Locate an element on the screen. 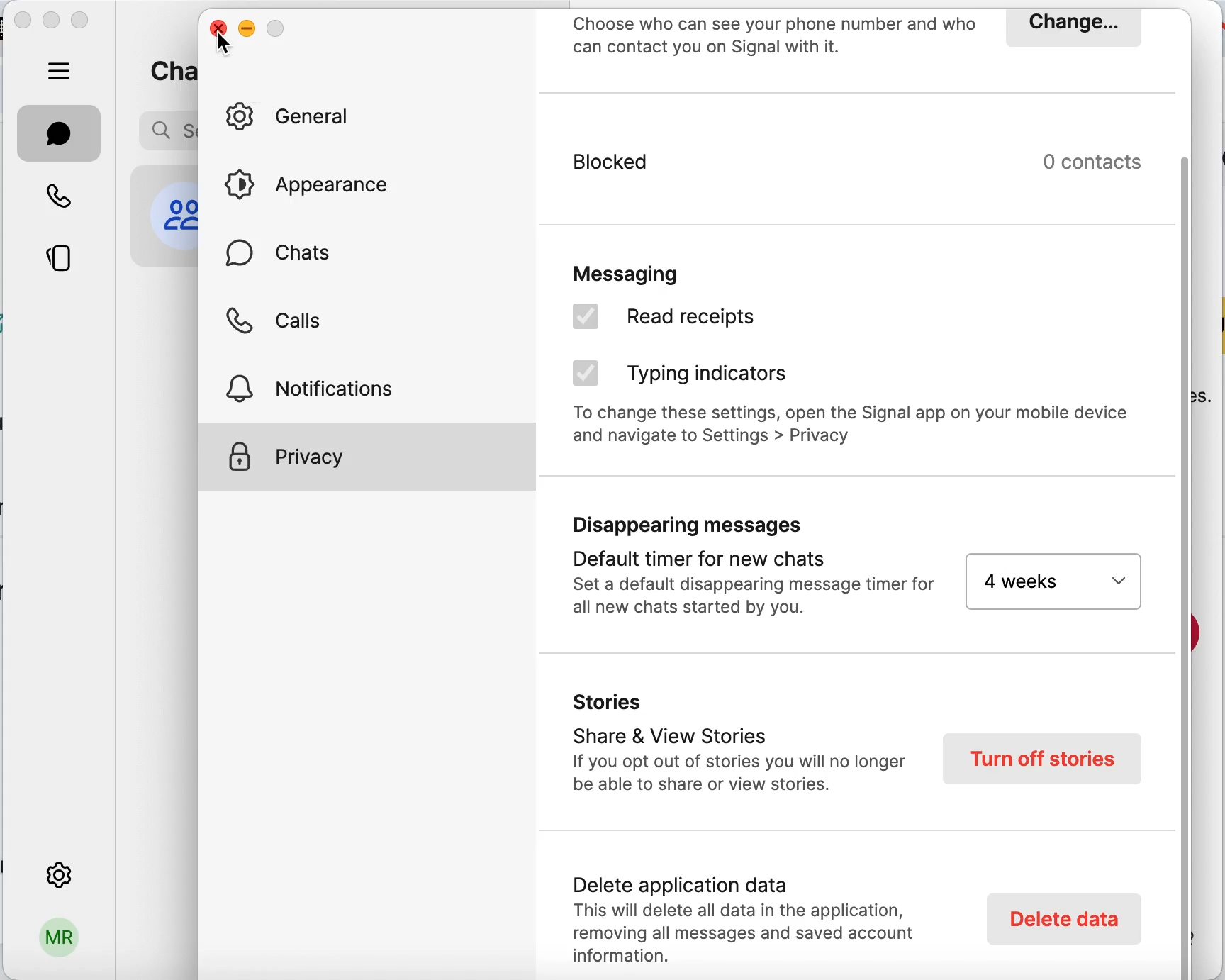 The height and width of the screenshot is (980, 1225). maximize is located at coordinates (84, 22).